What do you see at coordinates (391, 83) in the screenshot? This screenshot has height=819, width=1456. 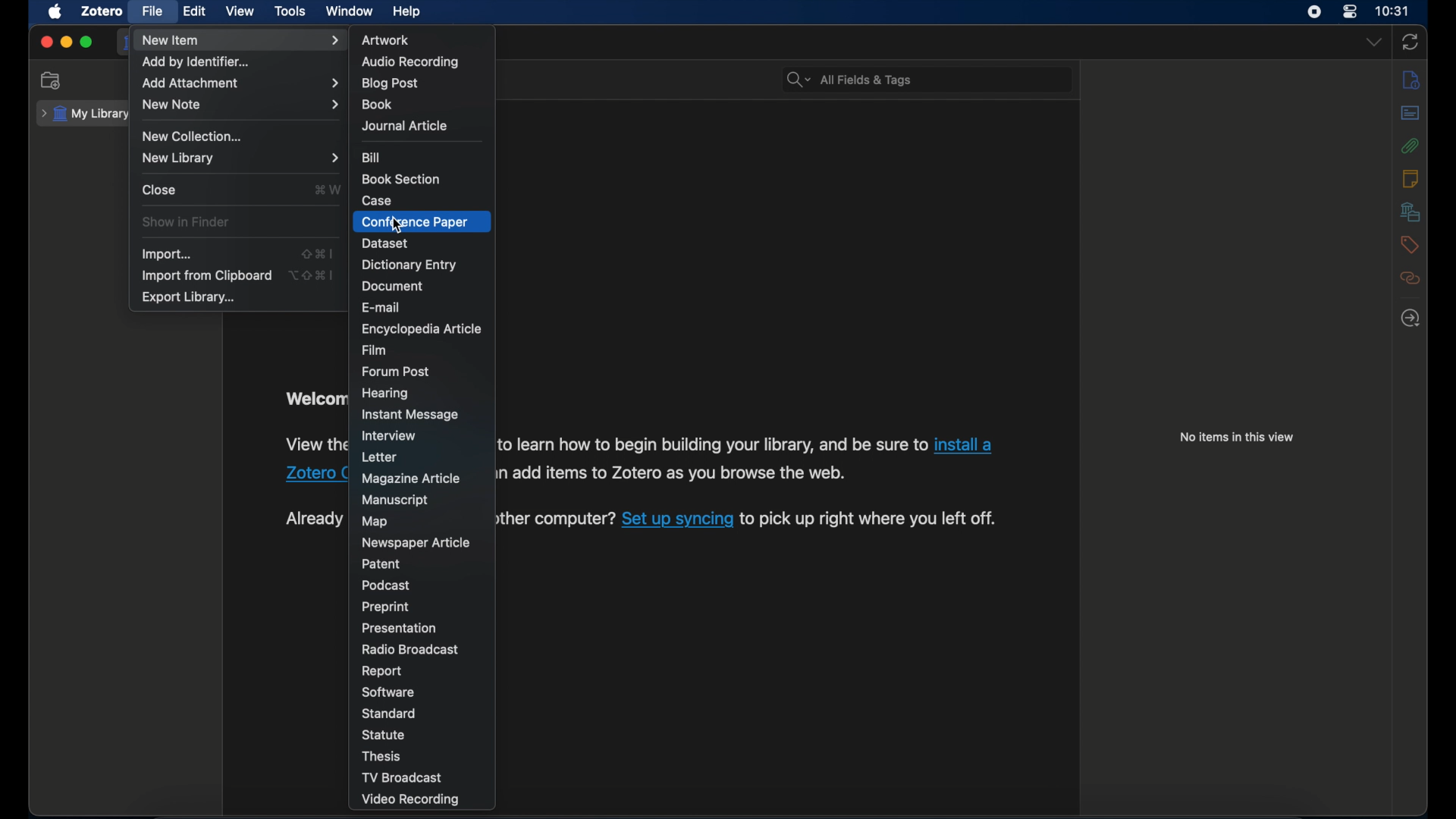 I see `blogpost` at bounding box center [391, 83].